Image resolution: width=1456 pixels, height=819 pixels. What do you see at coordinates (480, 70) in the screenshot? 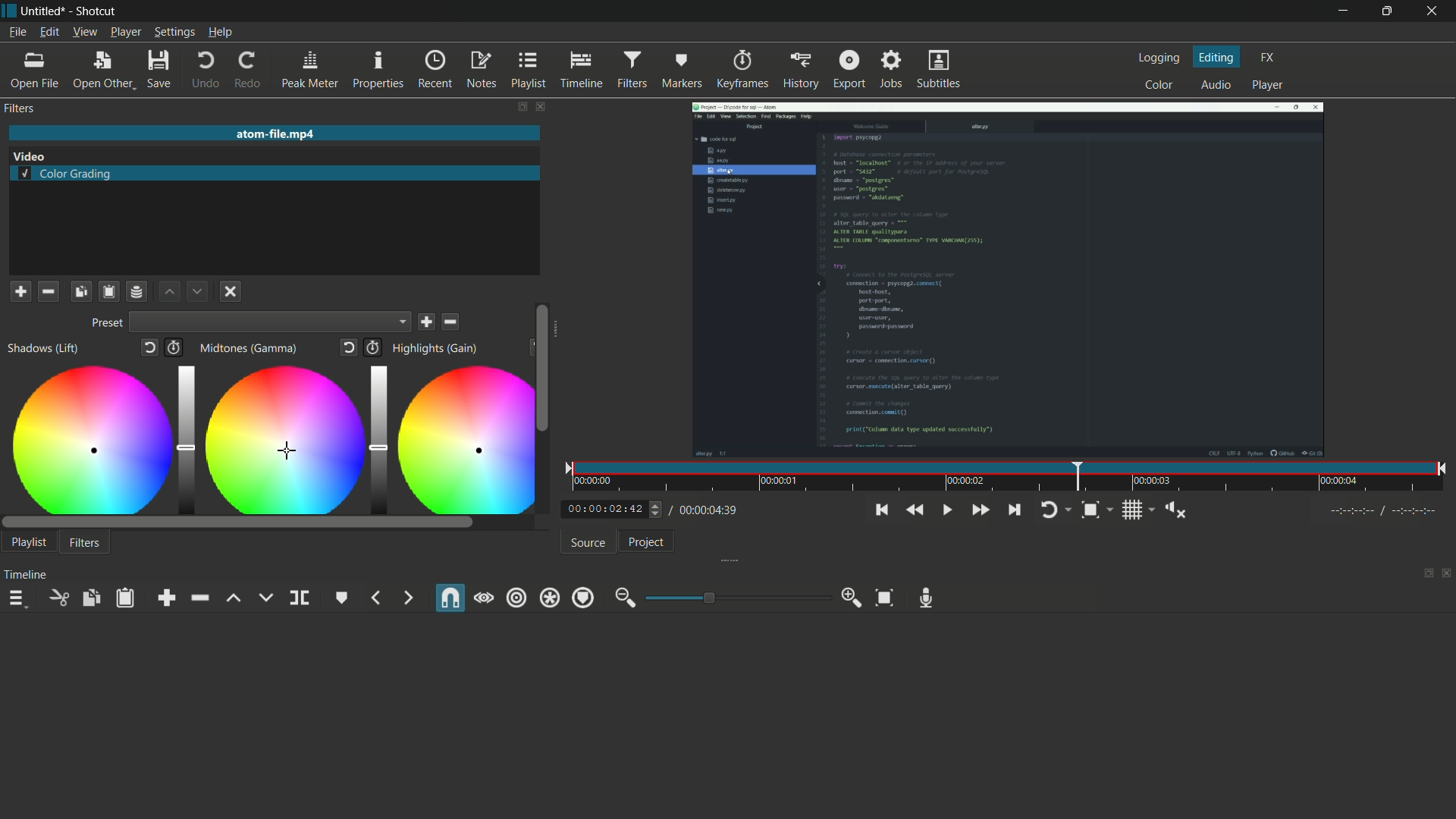
I see `notes` at bounding box center [480, 70].